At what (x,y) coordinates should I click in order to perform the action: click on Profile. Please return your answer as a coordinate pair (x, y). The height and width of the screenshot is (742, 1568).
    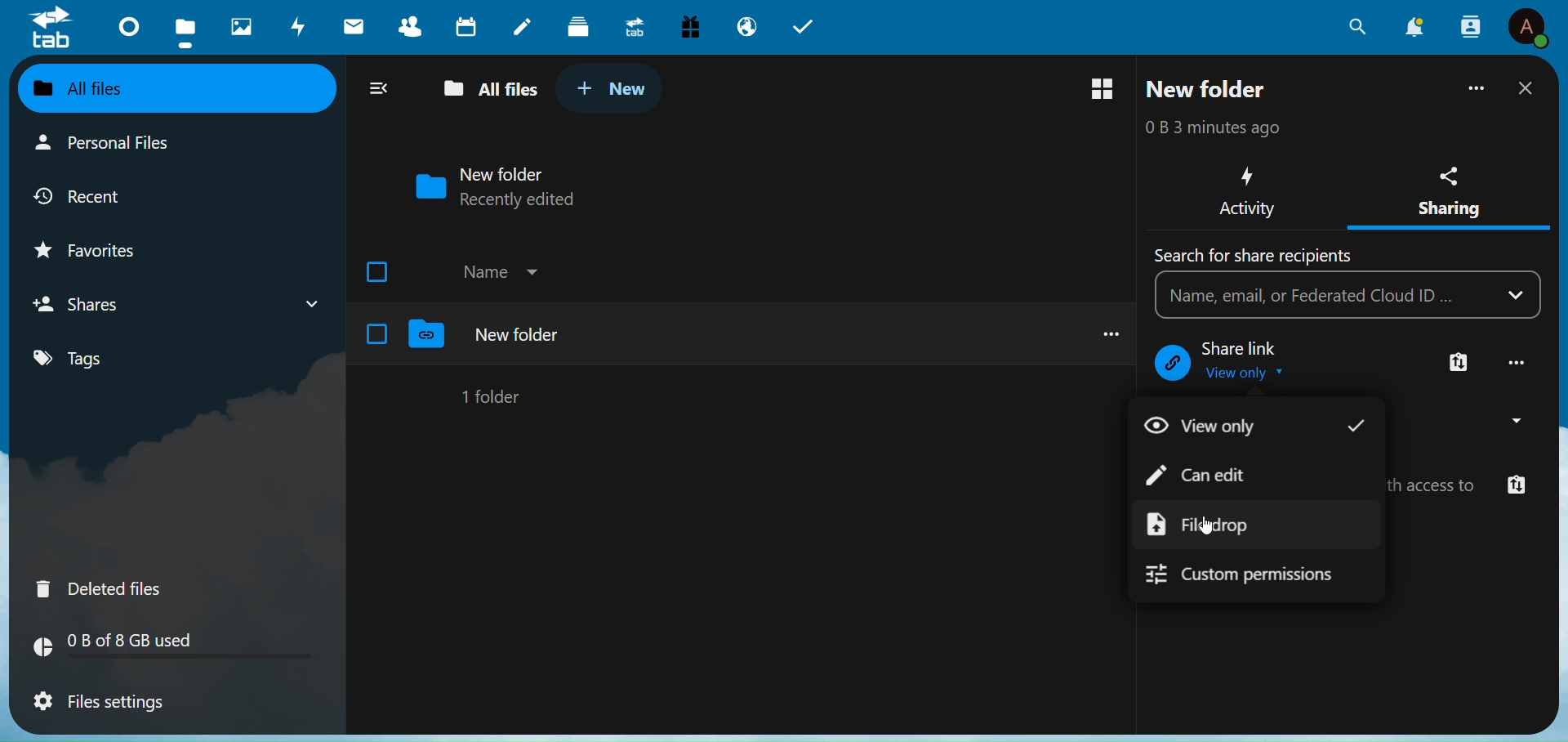
    Looking at the image, I should click on (1528, 29).